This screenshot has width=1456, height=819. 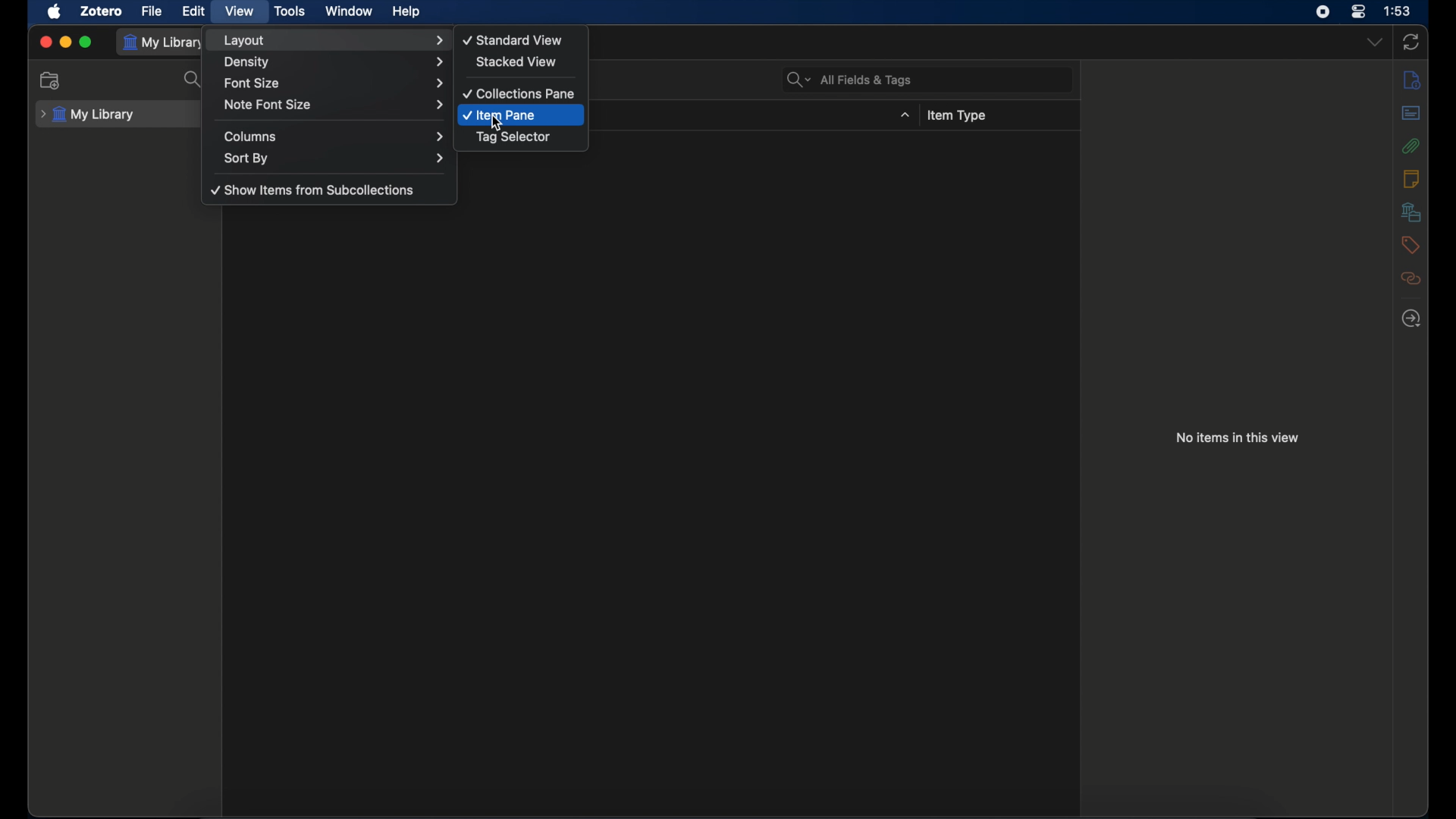 What do you see at coordinates (65, 42) in the screenshot?
I see `minimize` at bounding box center [65, 42].